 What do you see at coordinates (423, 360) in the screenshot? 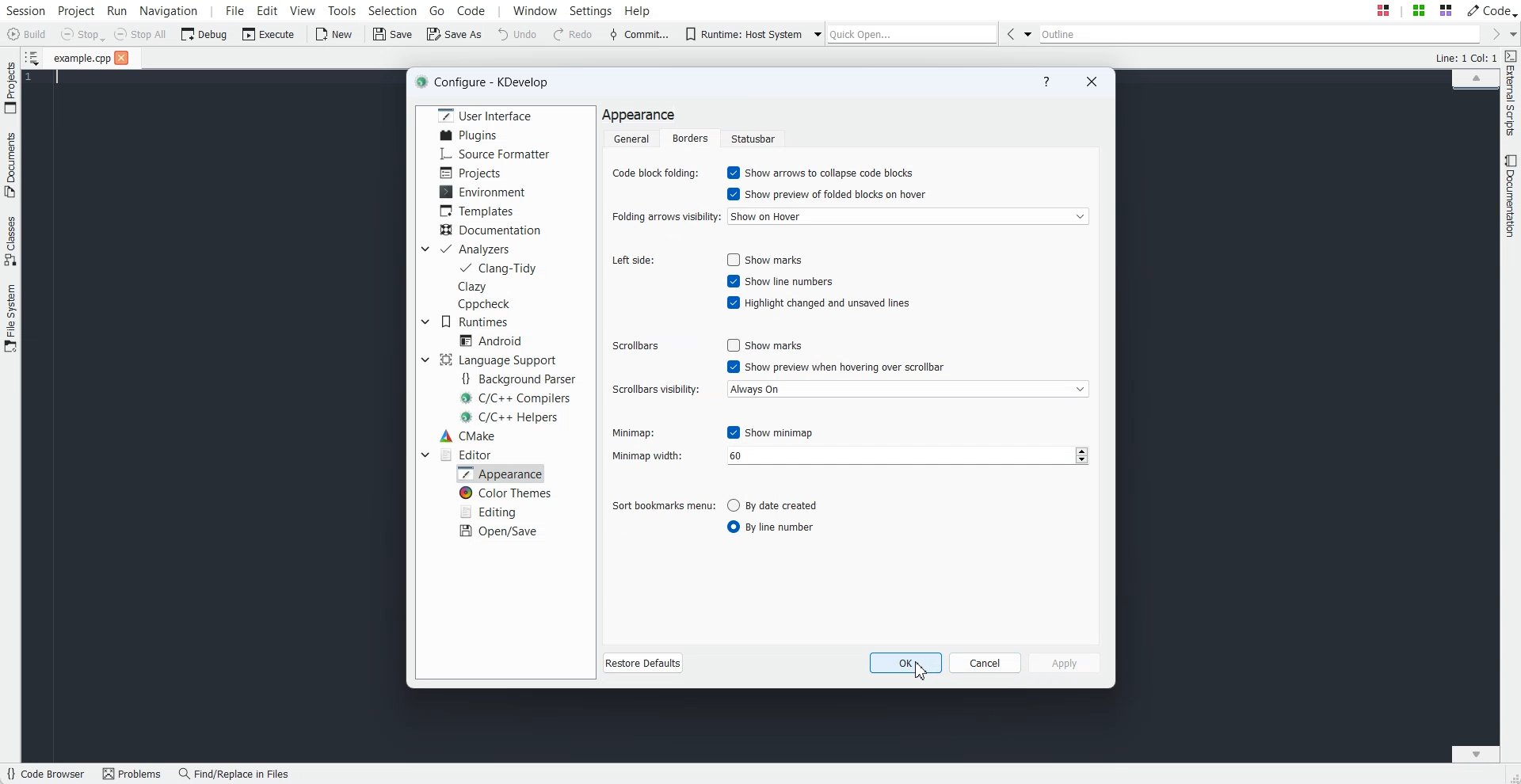
I see `Drop down box` at bounding box center [423, 360].